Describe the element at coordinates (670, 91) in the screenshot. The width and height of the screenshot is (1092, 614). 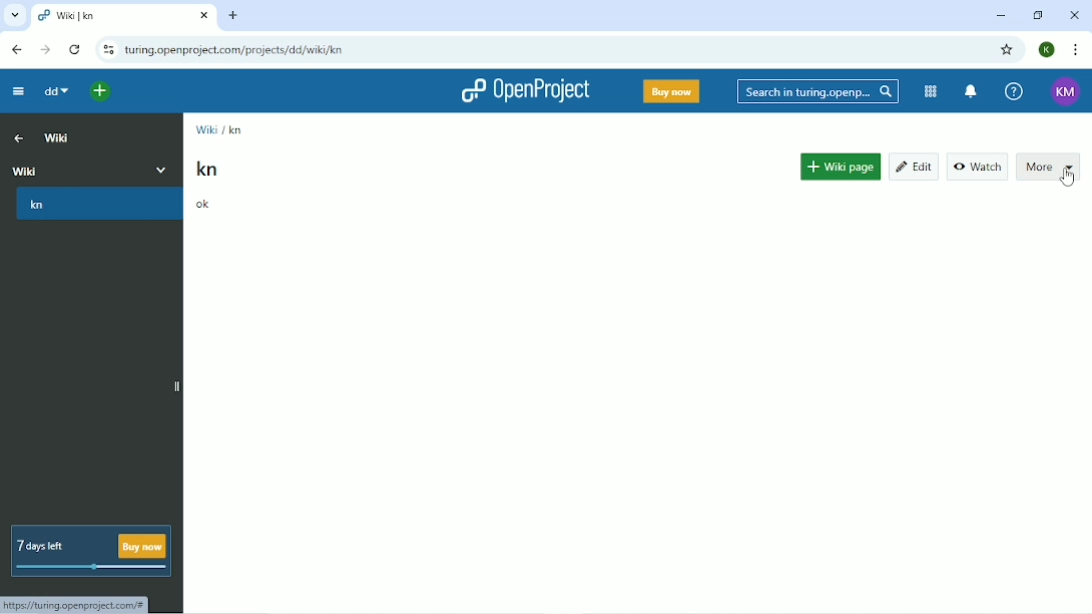
I see `Buy now` at that location.